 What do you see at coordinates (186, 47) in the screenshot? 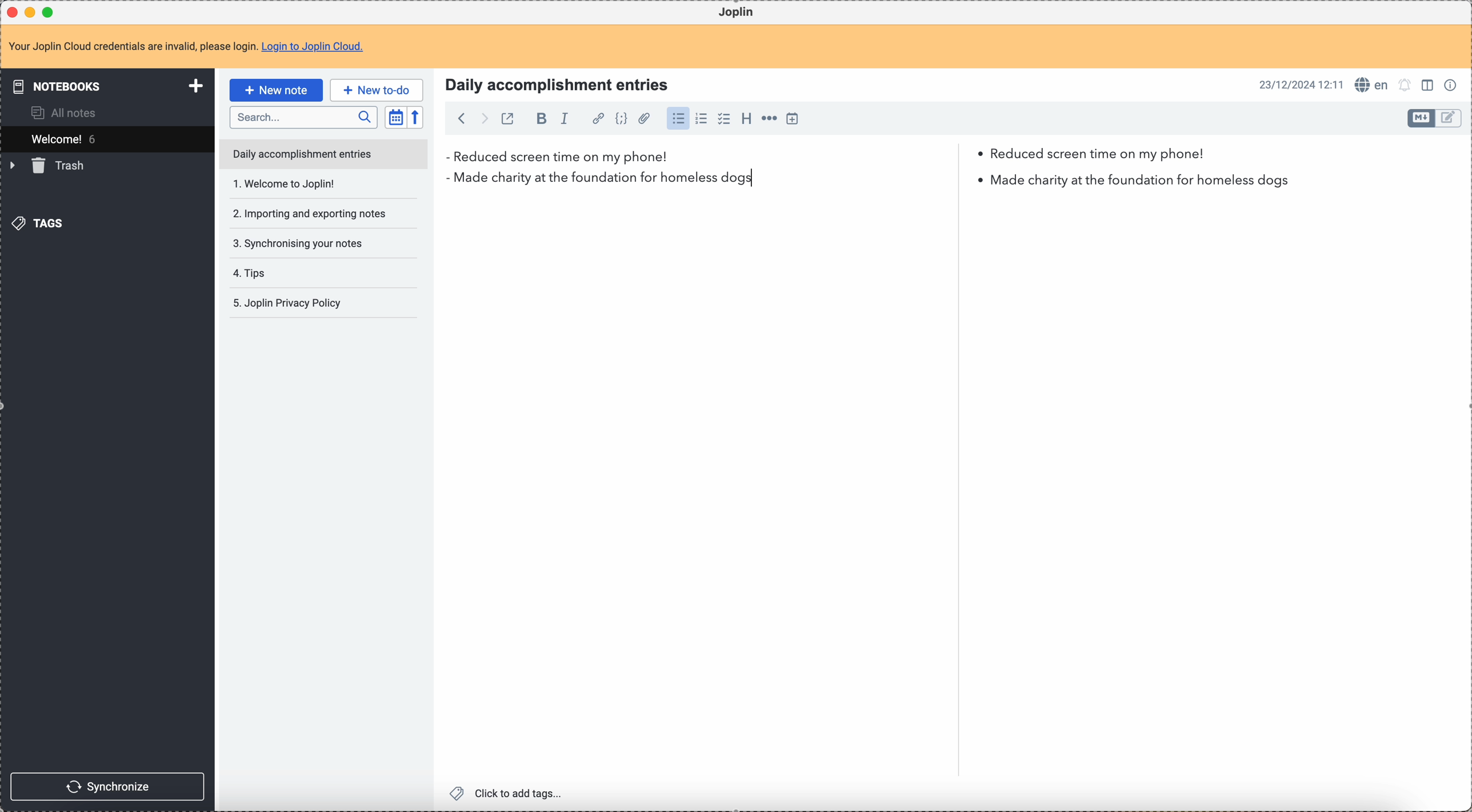
I see `note` at bounding box center [186, 47].